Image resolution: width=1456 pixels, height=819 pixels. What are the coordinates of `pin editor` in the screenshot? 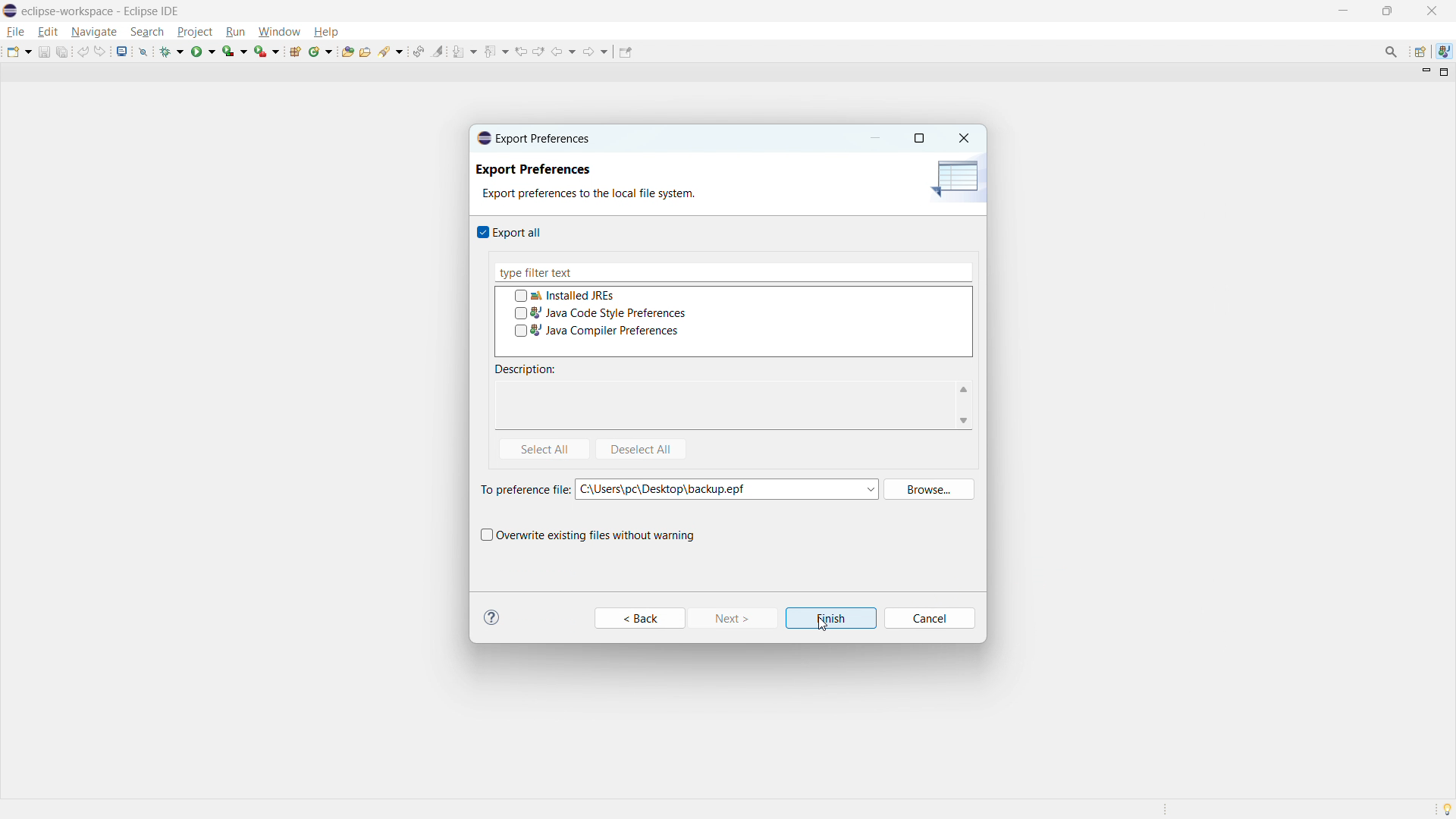 It's located at (624, 52).